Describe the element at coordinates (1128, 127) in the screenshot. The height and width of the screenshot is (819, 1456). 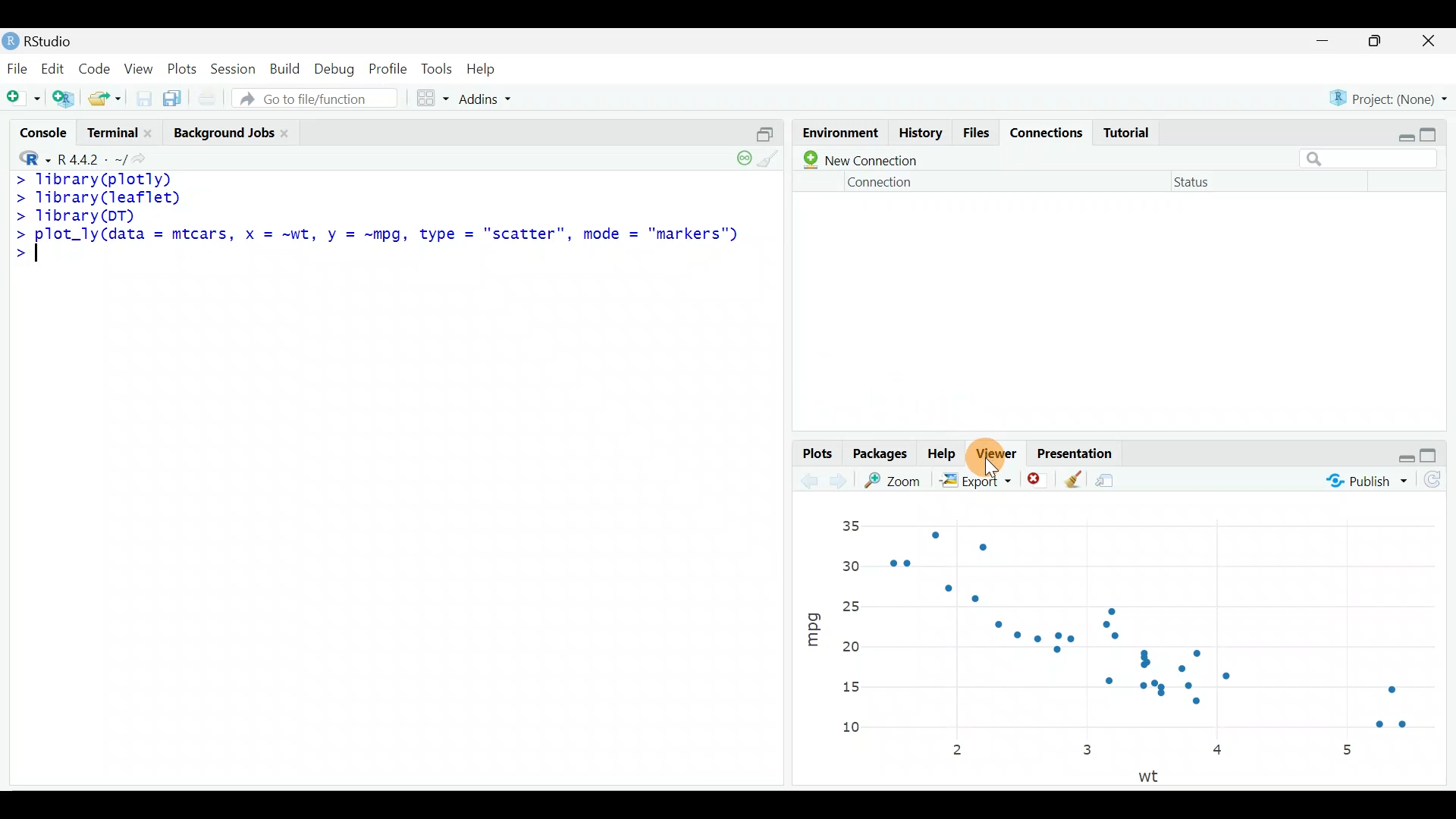
I see `Tutorial` at that location.